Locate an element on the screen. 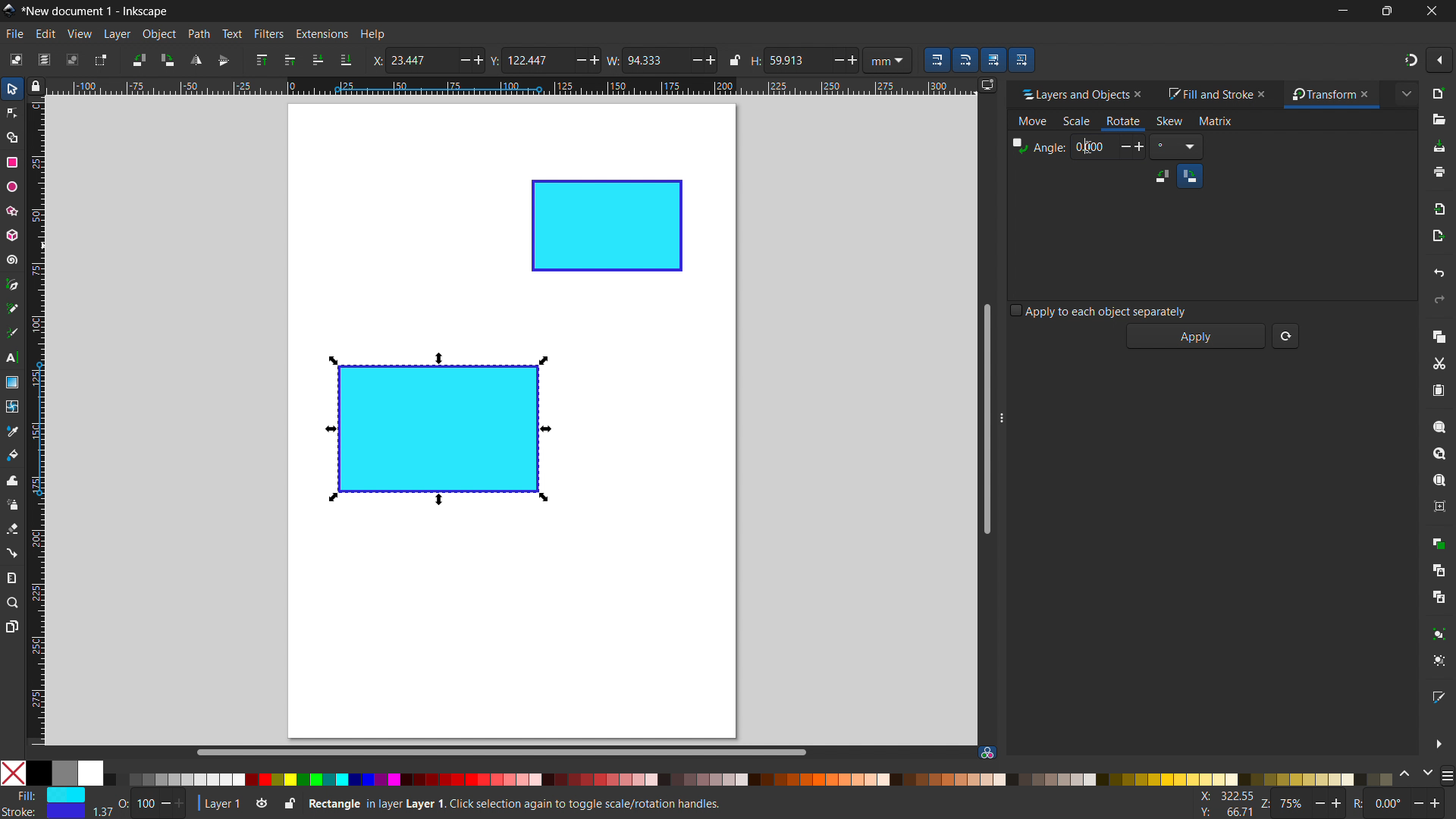  vertical scrollbar is located at coordinates (985, 417).